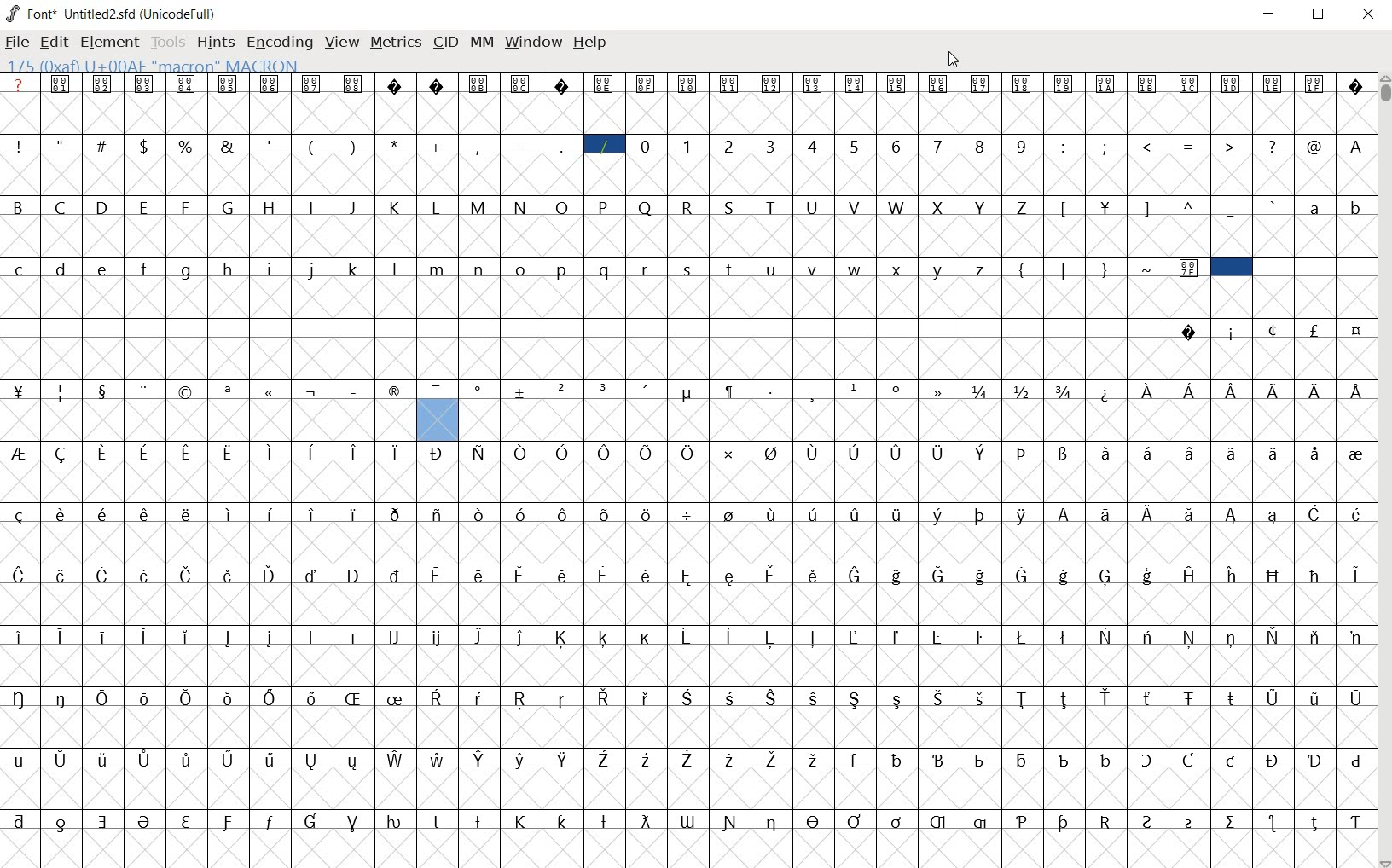  Describe the element at coordinates (1354, 207) in the screenshot. I see `b` at that location.